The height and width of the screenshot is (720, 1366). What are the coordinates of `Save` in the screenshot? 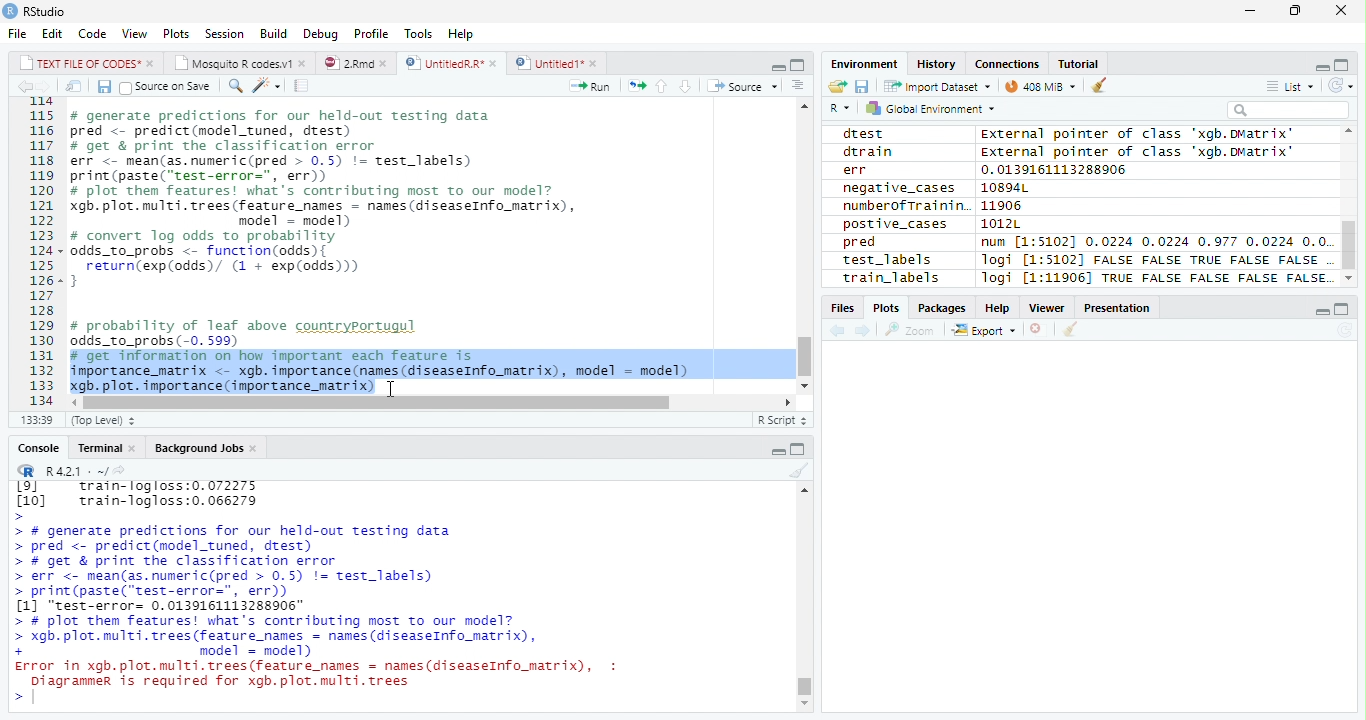 It's located at (101, 85).